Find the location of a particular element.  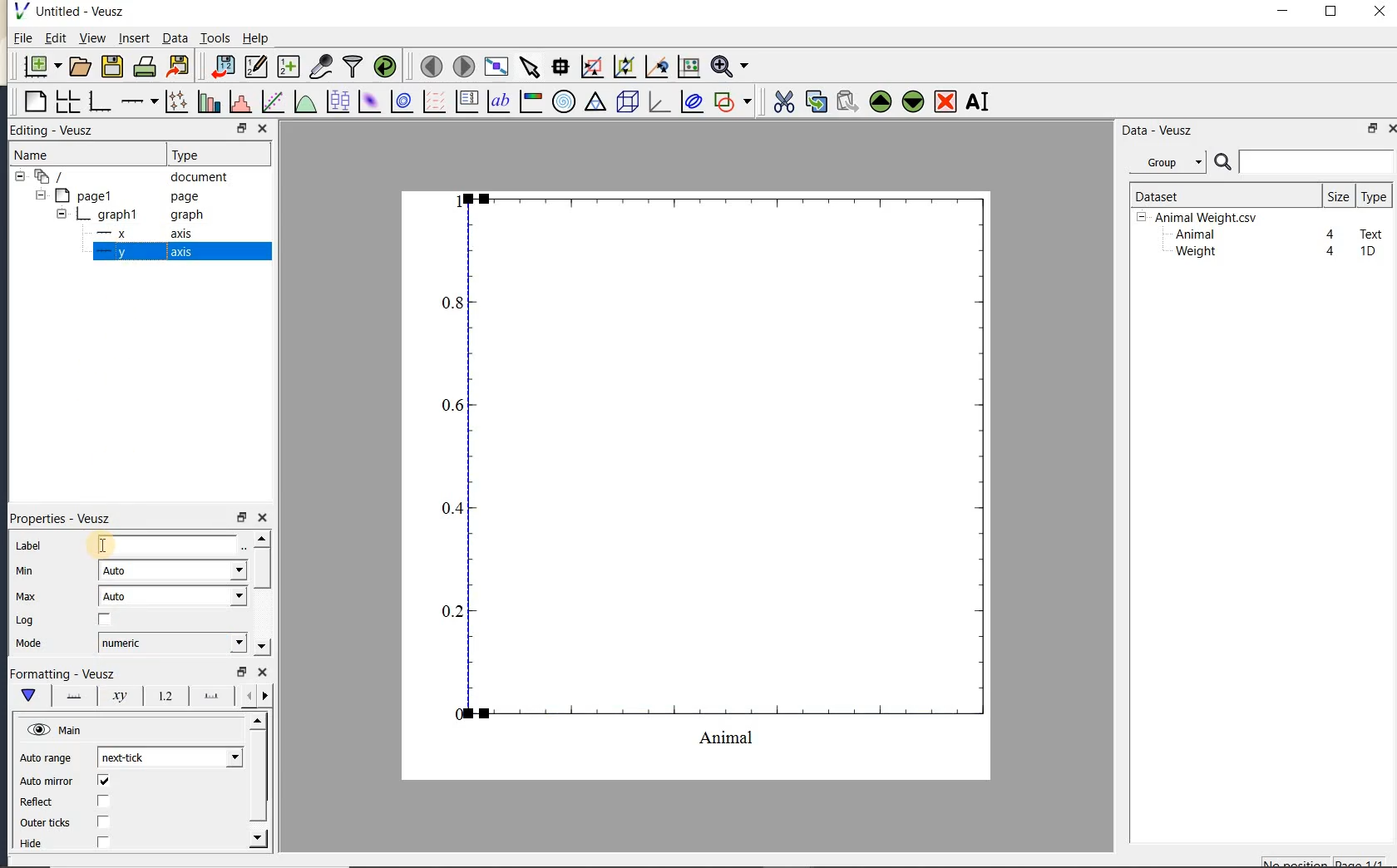

paste widget from the clipboard is located at coordinates (847, 103).